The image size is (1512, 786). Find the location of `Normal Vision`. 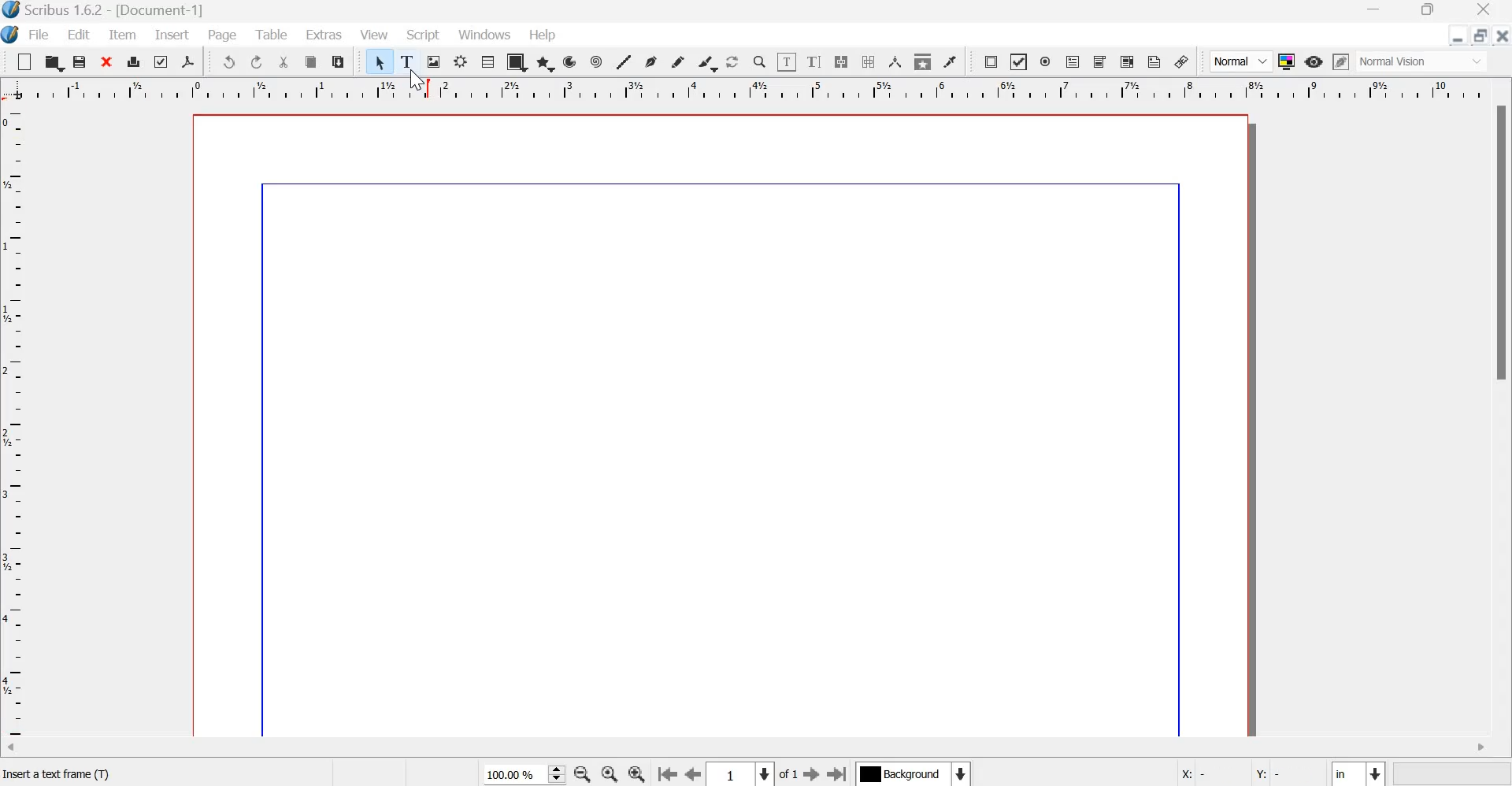

Normal Vision is located at coordinates (1424, 61).